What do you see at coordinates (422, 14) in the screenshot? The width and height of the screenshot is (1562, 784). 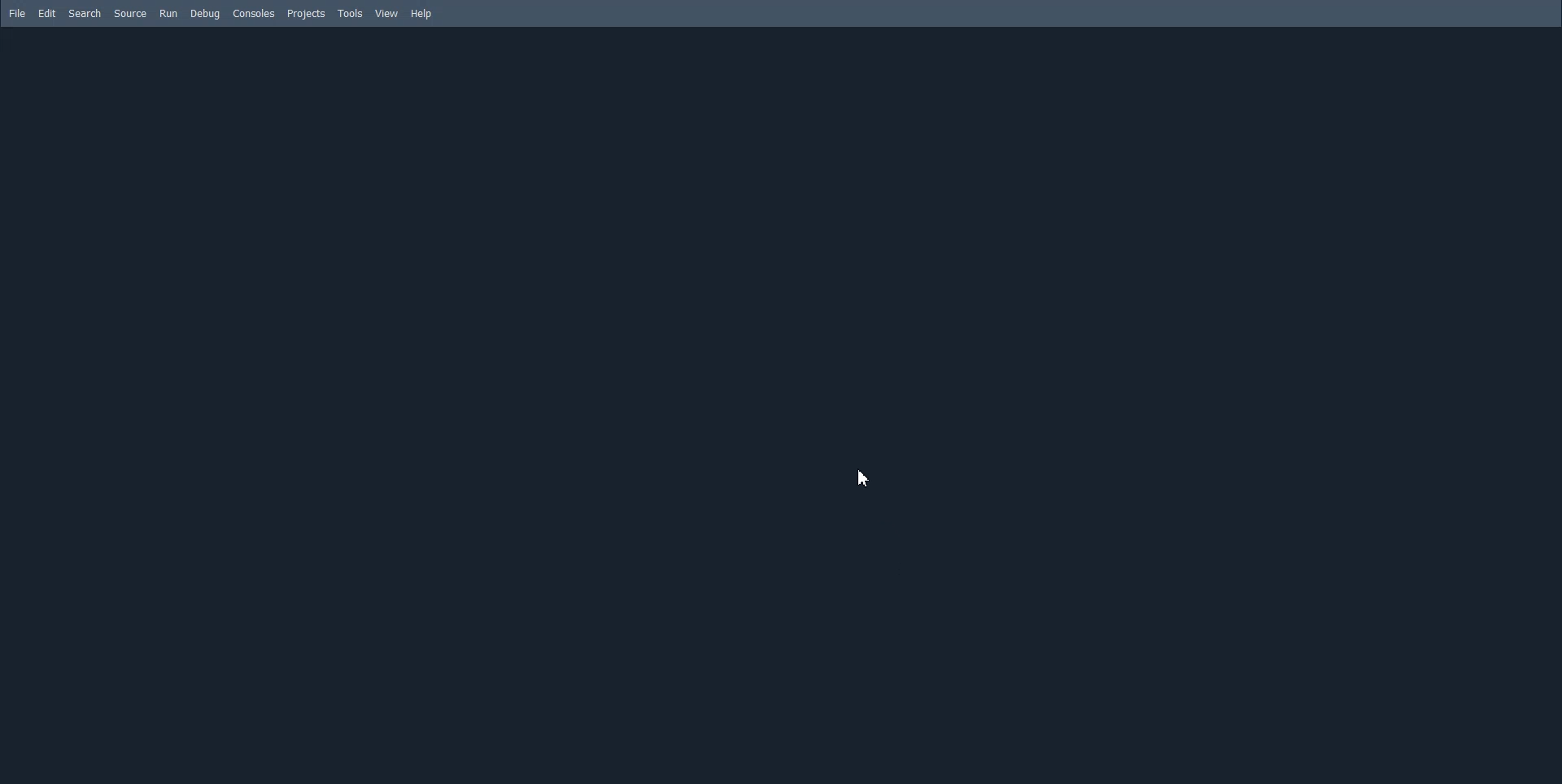 I see `Help` at bounding box center [422, 14].